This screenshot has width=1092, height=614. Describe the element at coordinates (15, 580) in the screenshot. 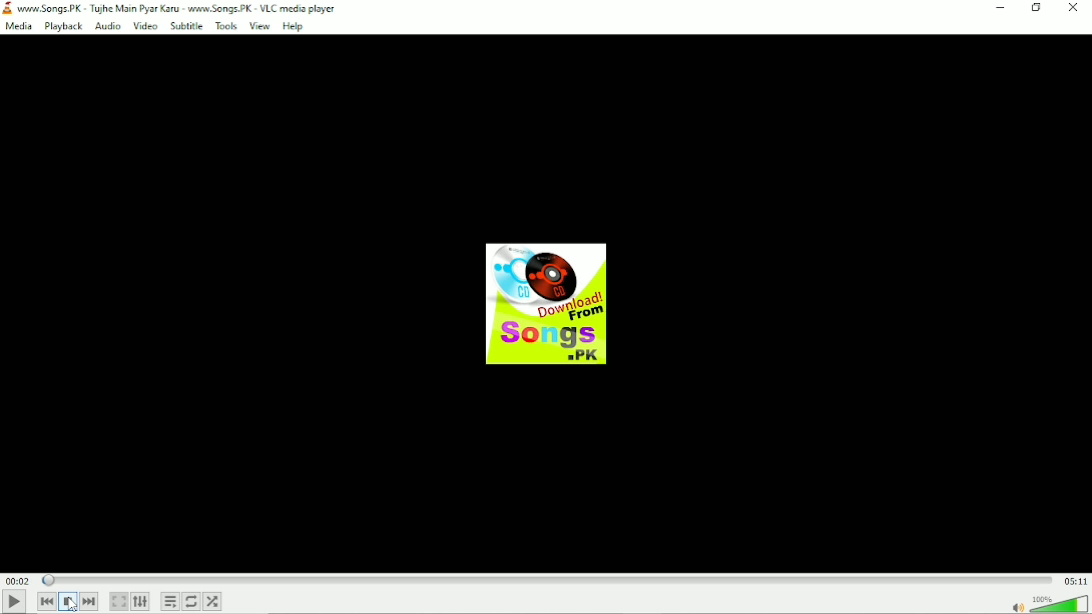

I see `Elapsed time` at that location.